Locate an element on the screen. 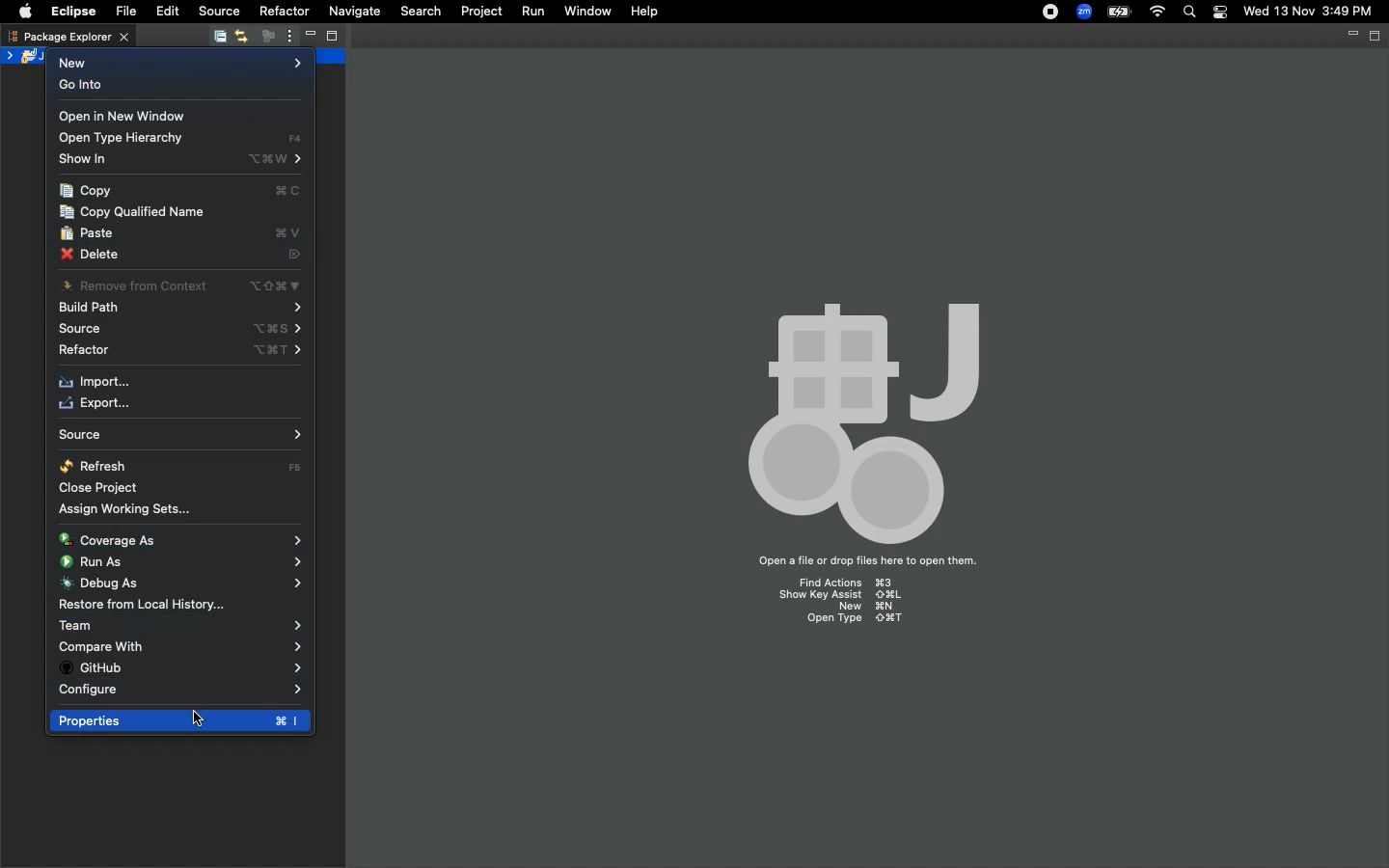  Delete is located at coordinates (182, 256).